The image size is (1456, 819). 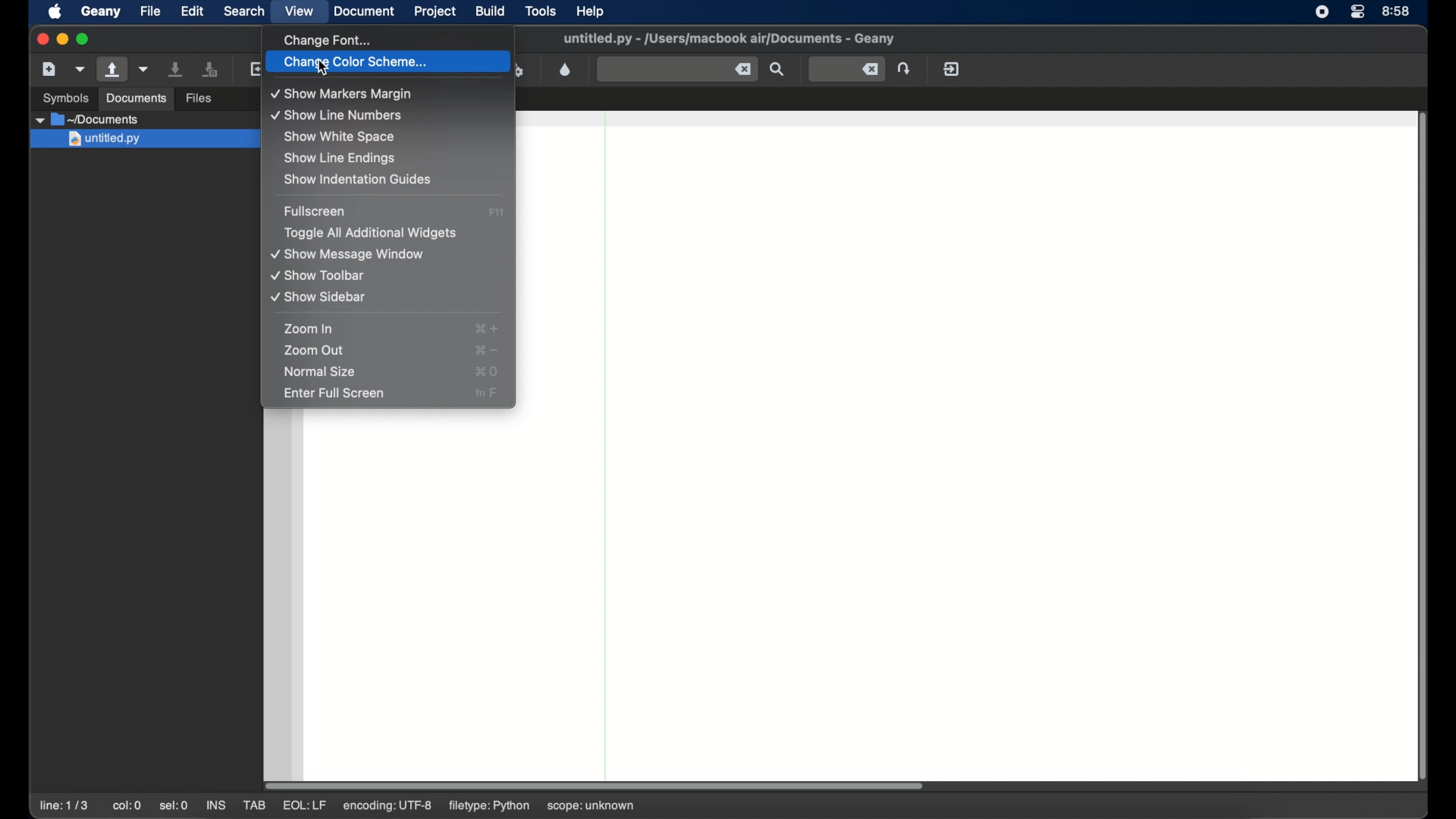 What do you see at coordinates (488, 371) in the screenshot?
I see `normal size shortcut` at bounding box center [488, 371].